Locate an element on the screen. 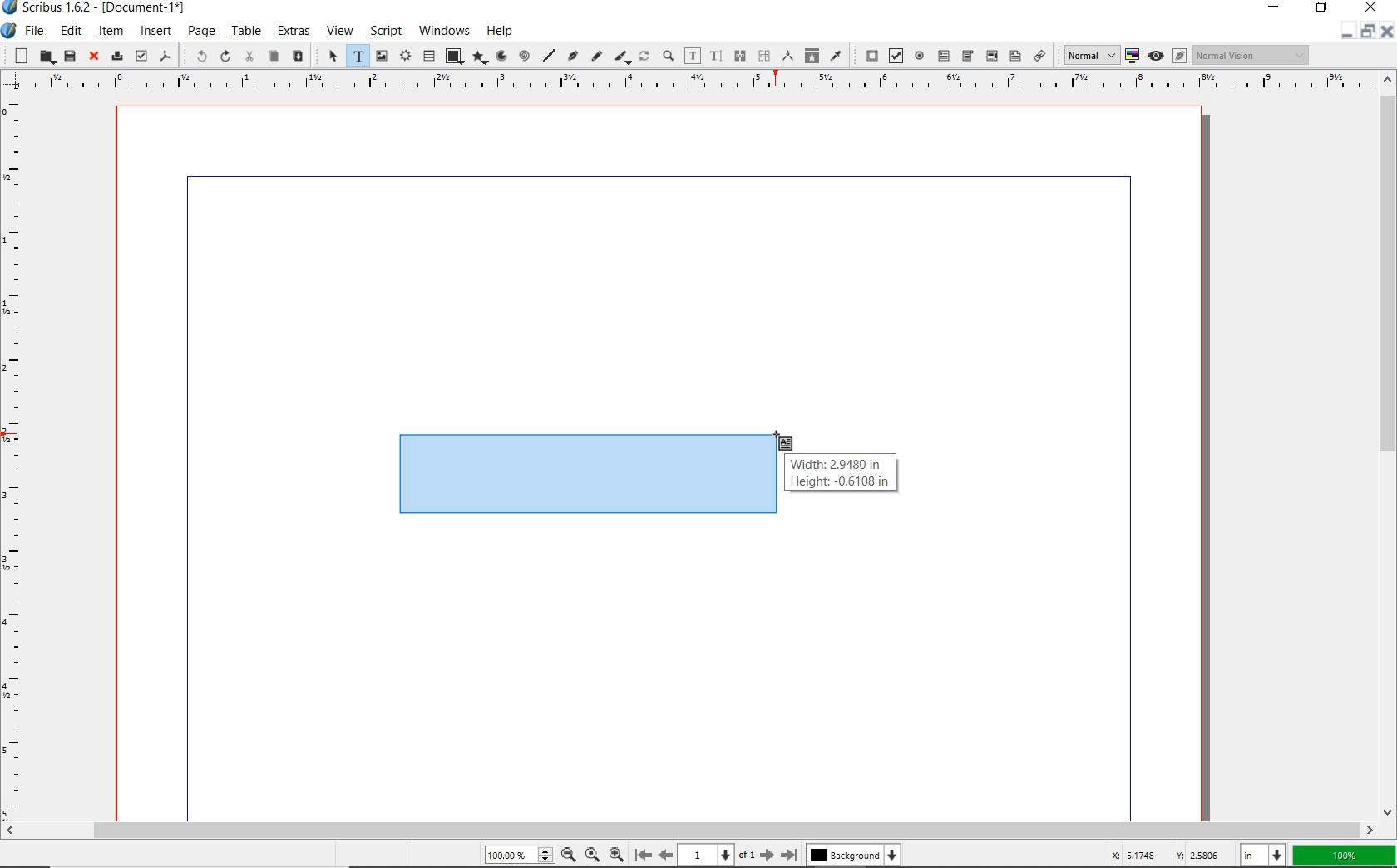 This screenshot has width=1397, height=868. measurements is located at coordinates (787, 57).